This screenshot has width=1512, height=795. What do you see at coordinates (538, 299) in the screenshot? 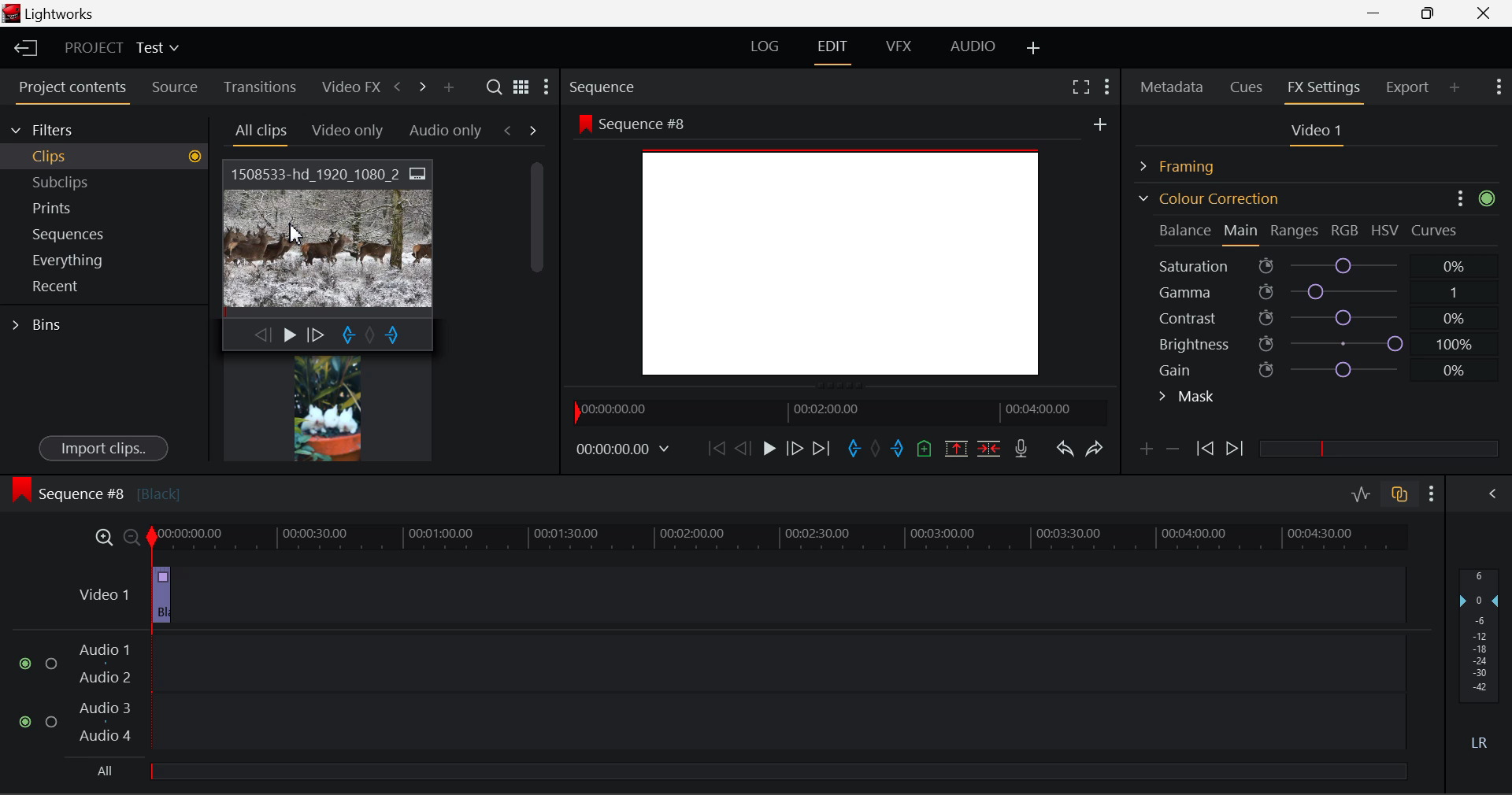
I see `Scroll Bar` at bounding box center [538, 299].